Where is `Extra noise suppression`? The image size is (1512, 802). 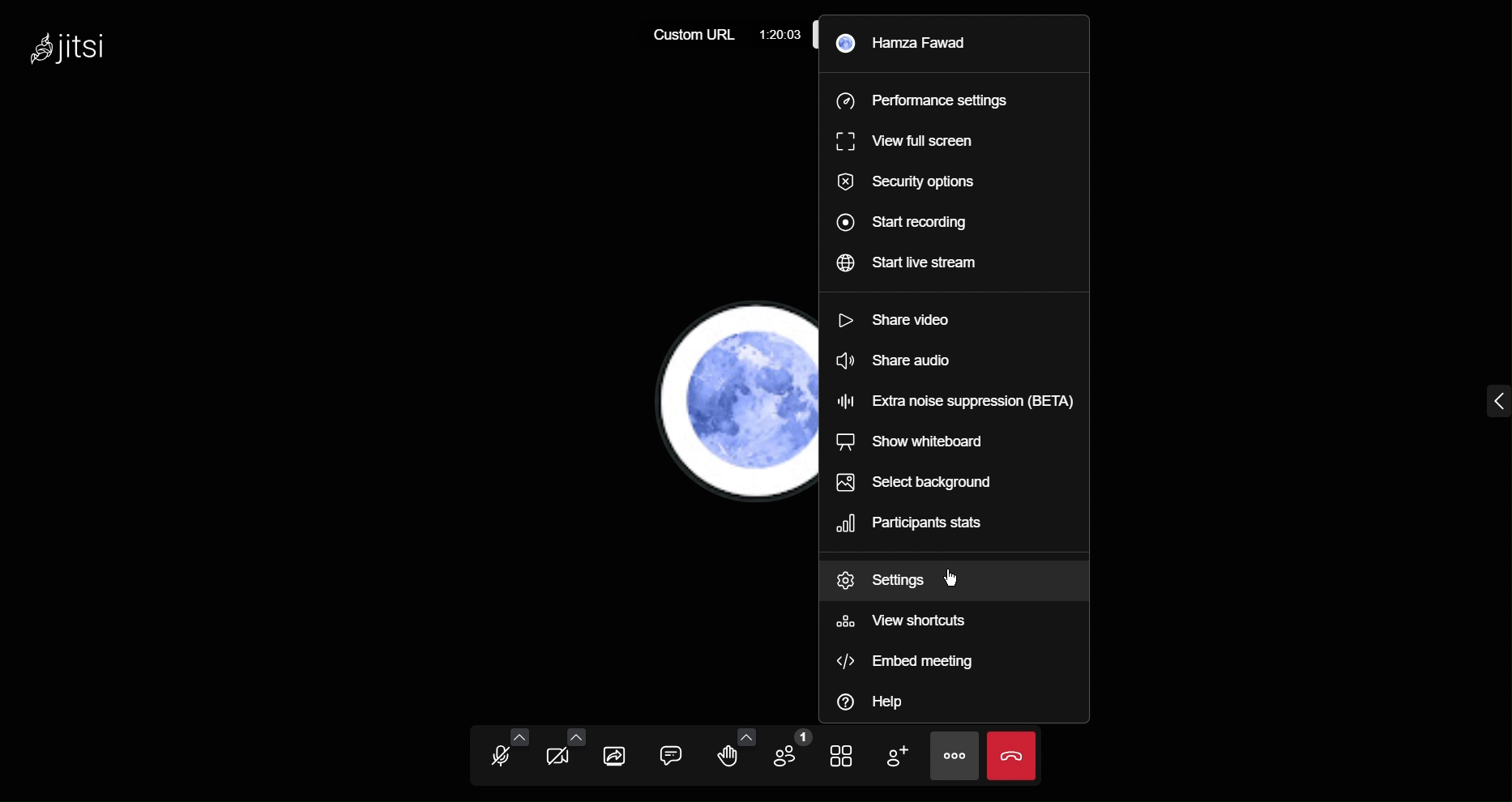
Extra noise suppression is located at coordinates (954, 398).